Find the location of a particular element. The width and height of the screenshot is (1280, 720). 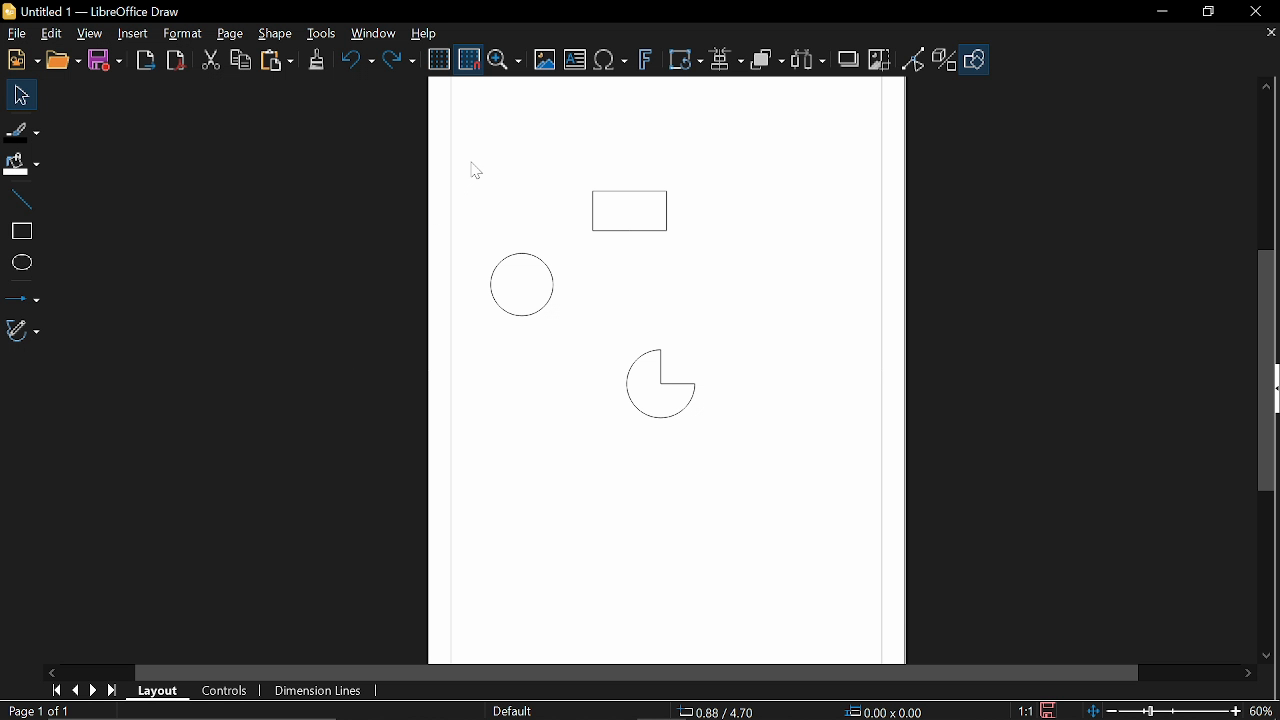

Layout is located at coordinates (156, 691).